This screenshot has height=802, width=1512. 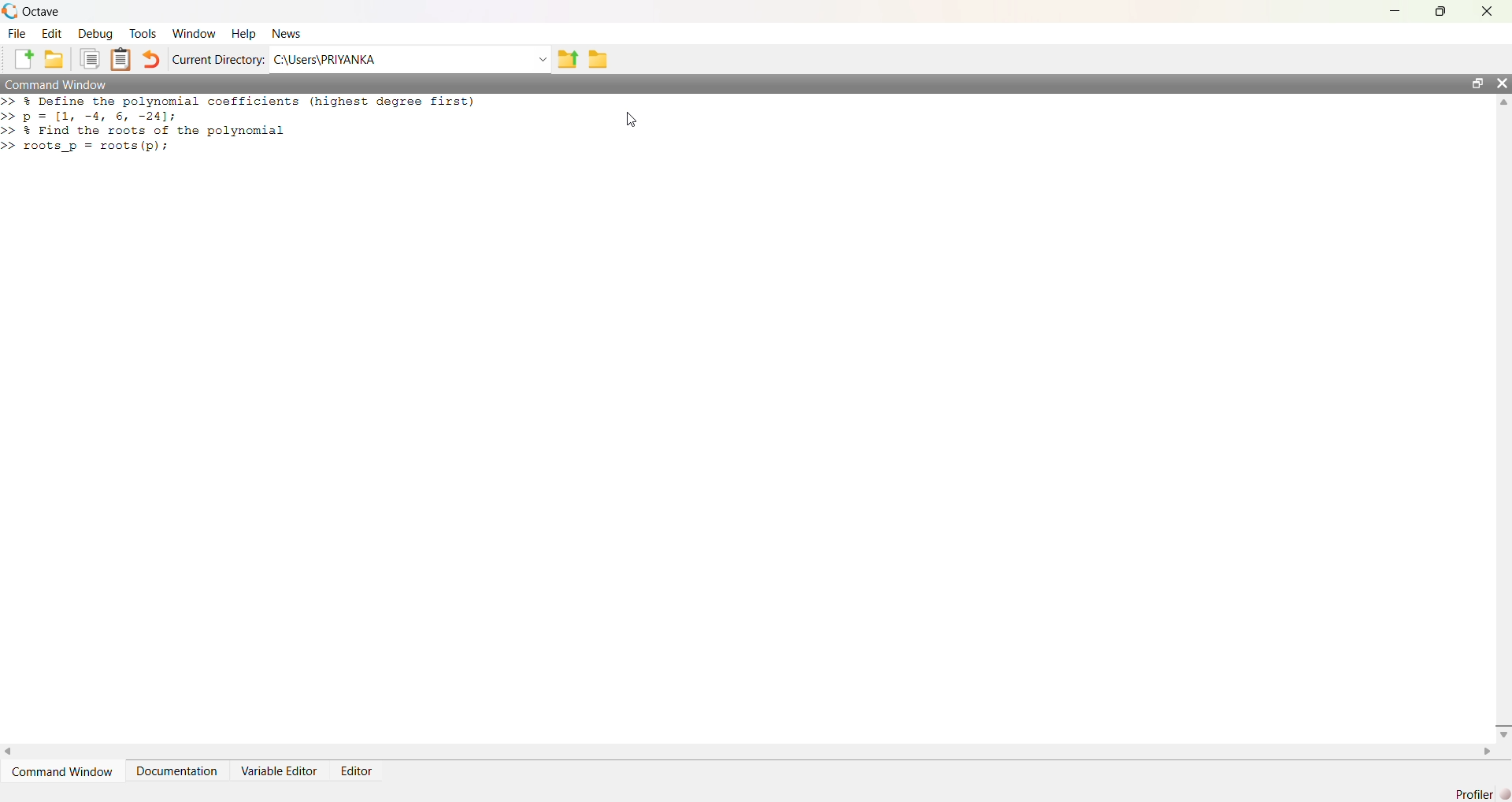 I want to click on Folder, so click(x=597, y=60).